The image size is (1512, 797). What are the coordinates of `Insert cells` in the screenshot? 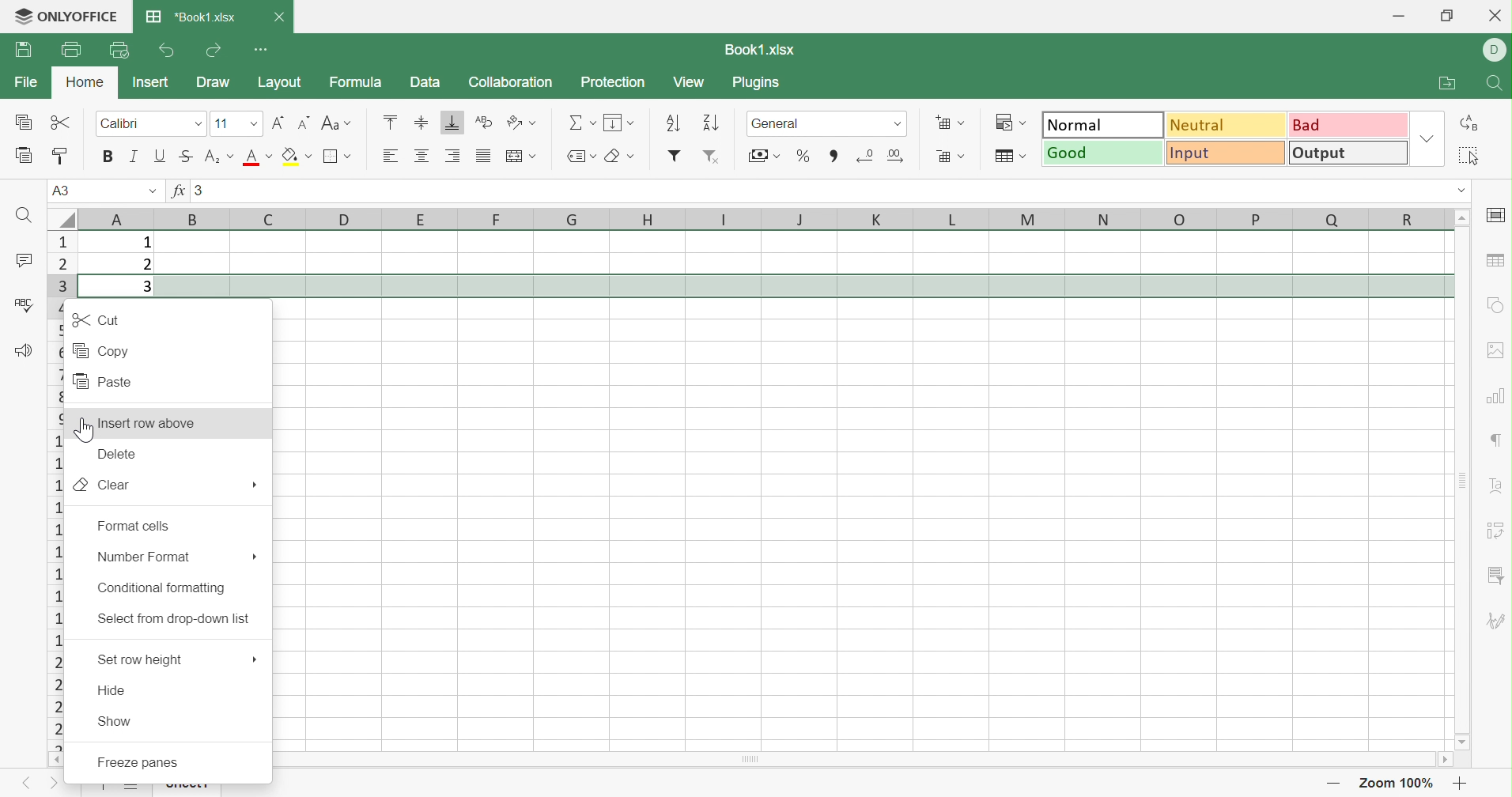 It's located at (939, 155).